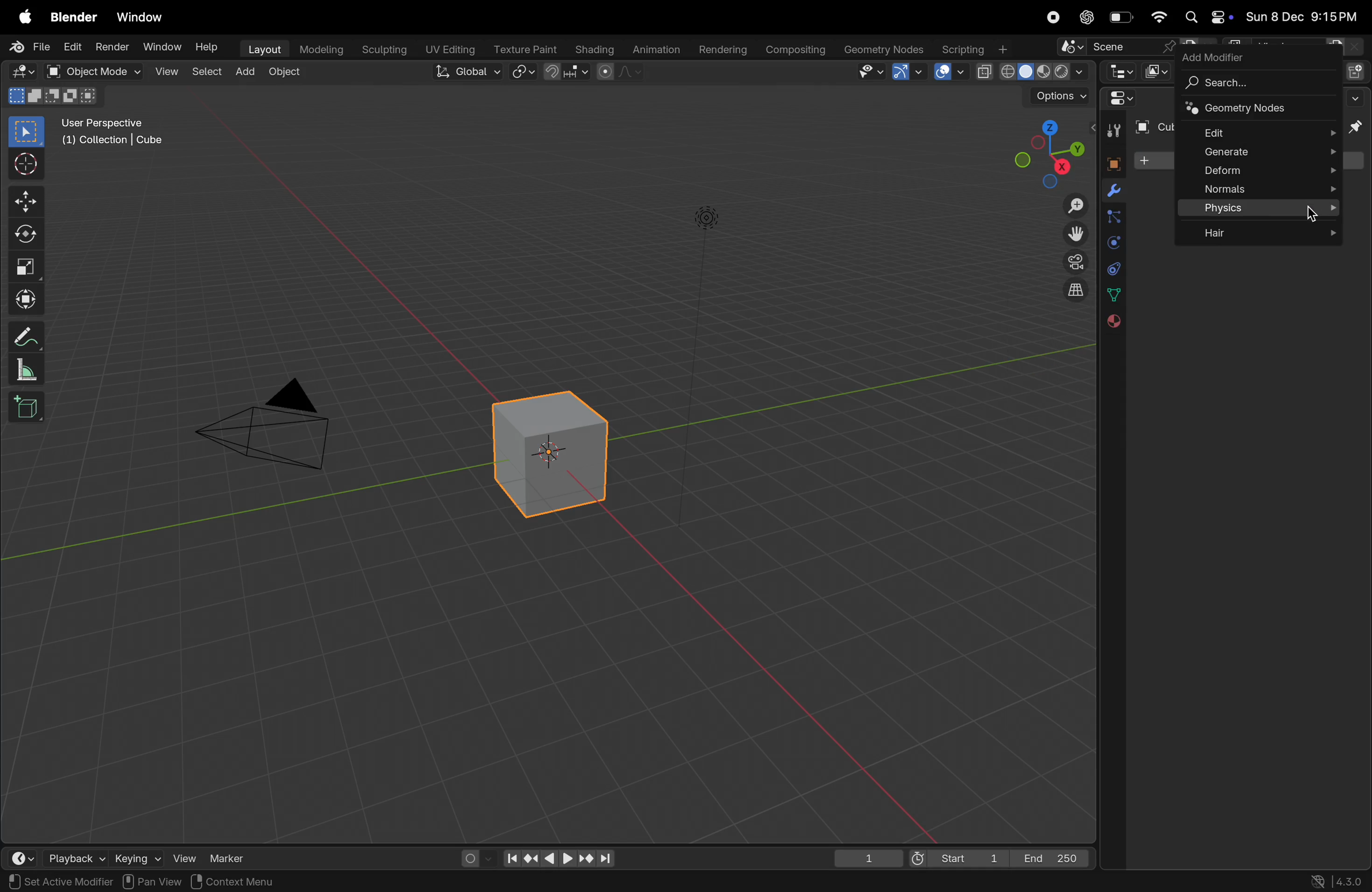 This screenshot has height=892, width=1372. Describe the element at coordinates (1262, 231) in the screenshot. I see `Hair` at that location.